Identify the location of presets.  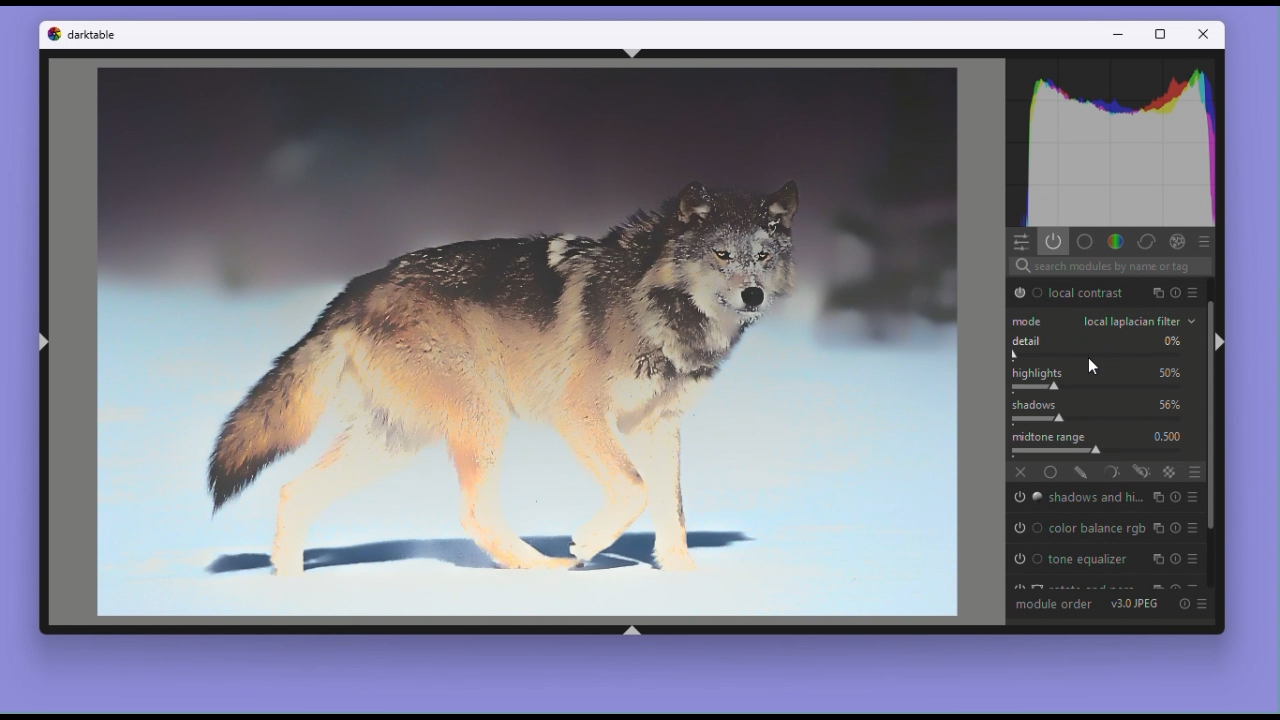
(1197, 530).